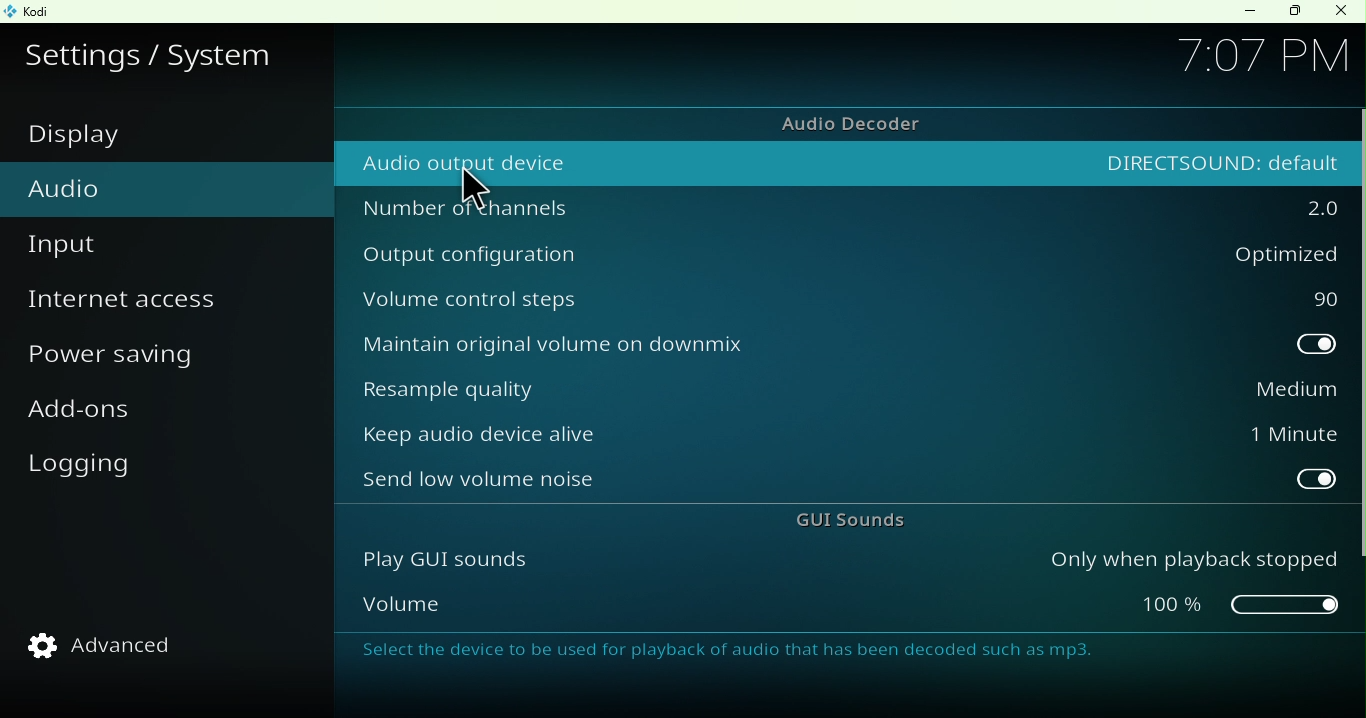  Describe the element at coordinates (725, 480) in the screenshot. I see `Send low volume noise` at that location.